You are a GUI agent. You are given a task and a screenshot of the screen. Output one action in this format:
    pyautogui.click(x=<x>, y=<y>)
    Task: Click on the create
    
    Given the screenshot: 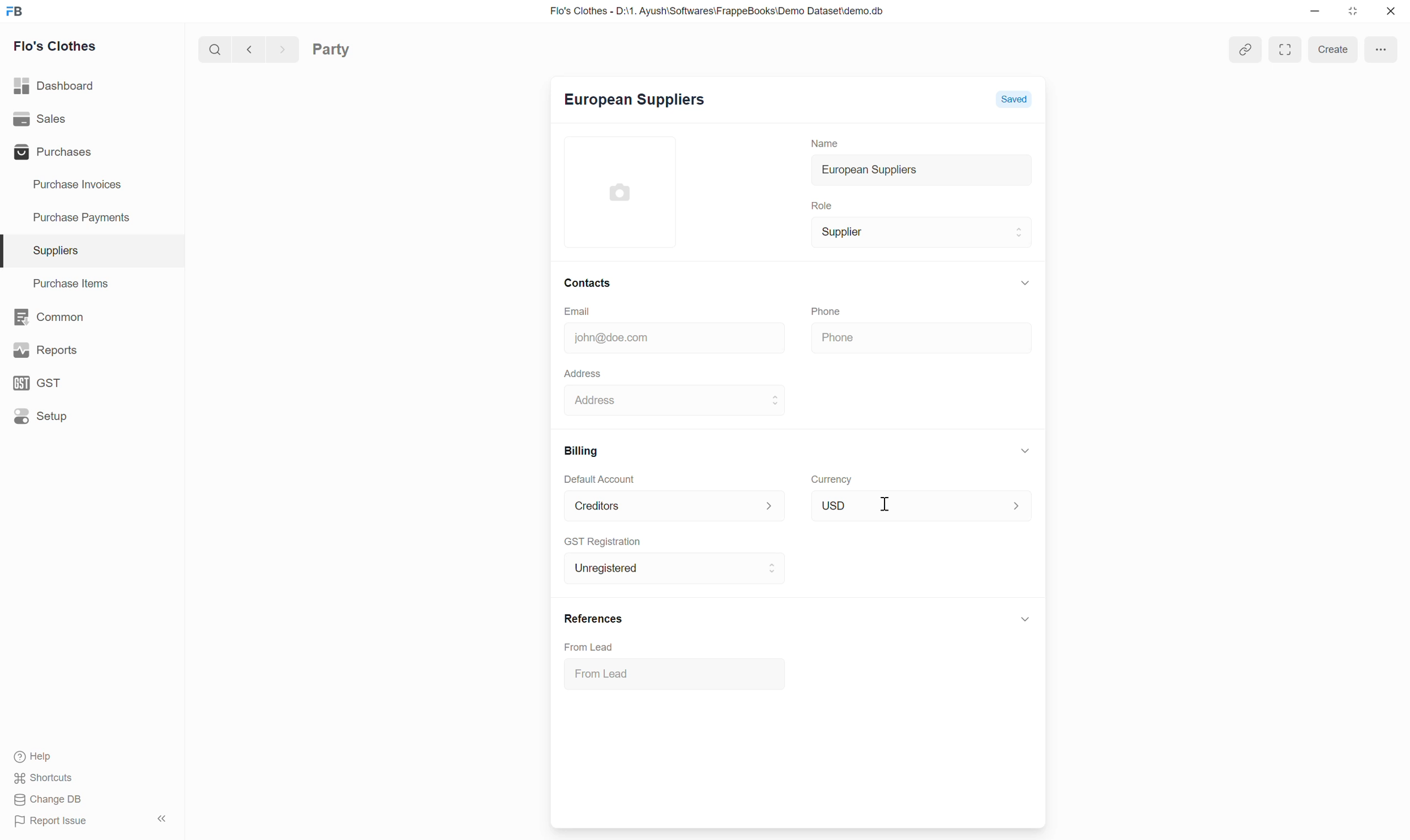 What is the action you would take?
    pyautogui.click(x=1330, y=49)
    